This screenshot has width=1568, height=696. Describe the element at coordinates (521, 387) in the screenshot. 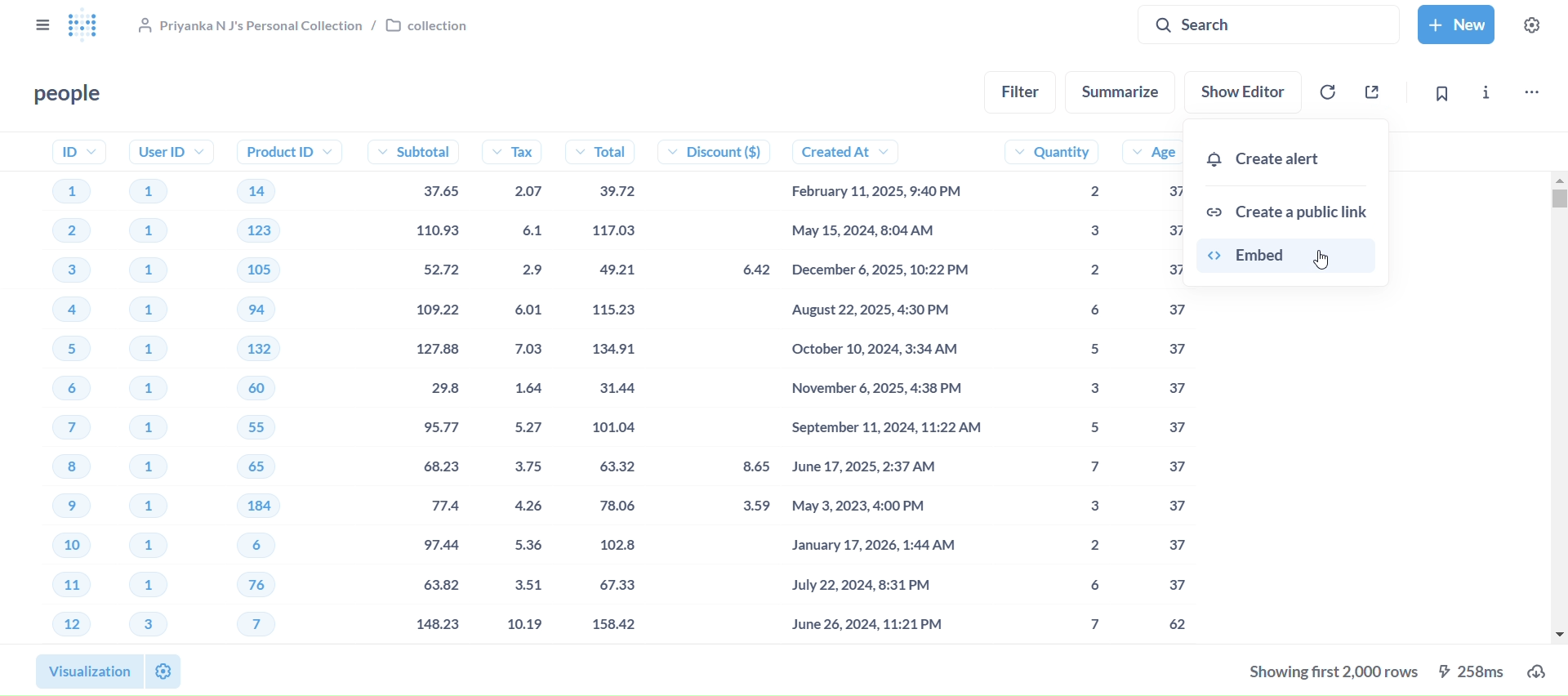

I see `tax` at that location.